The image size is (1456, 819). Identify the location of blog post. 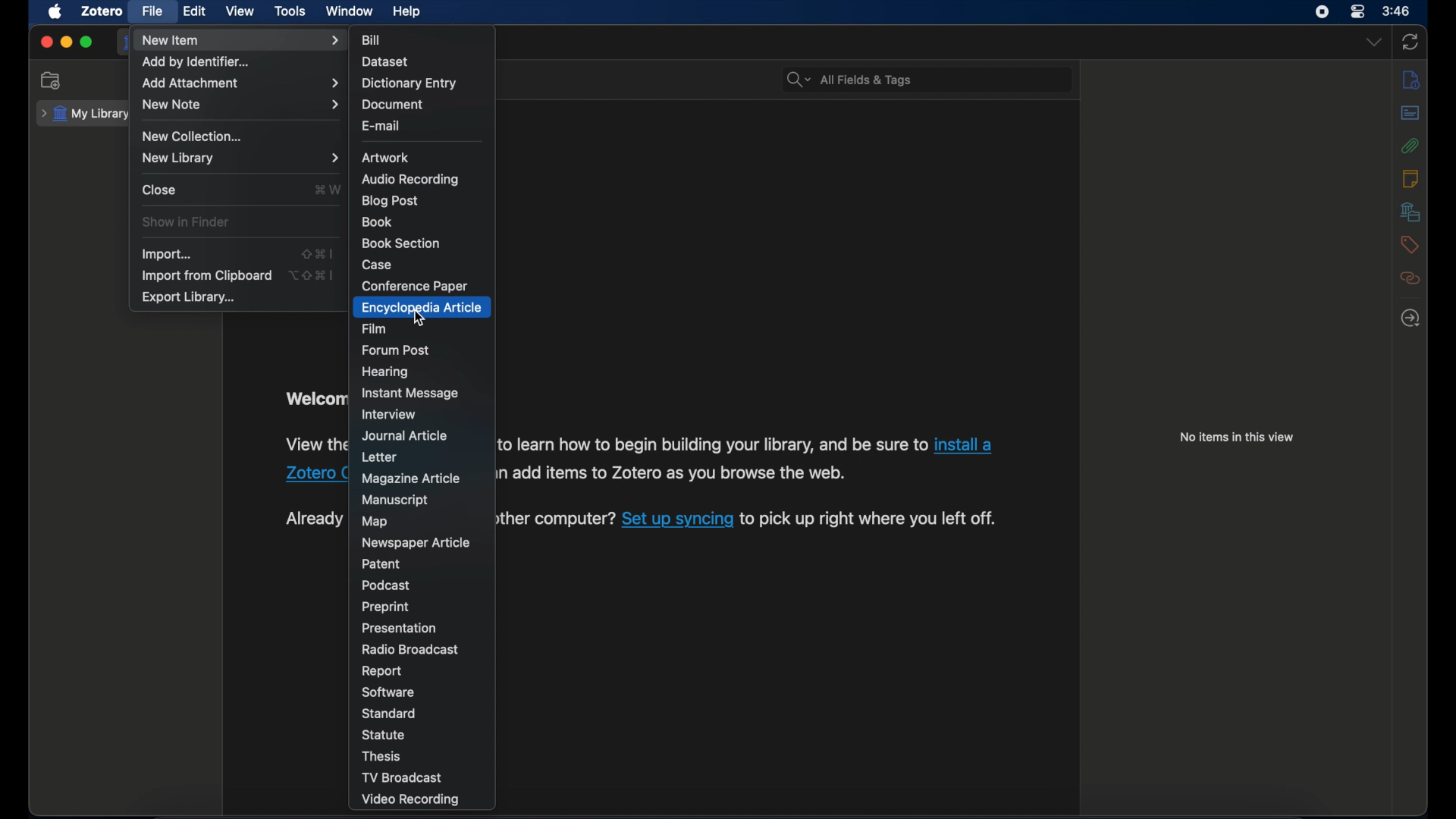
(391, 202).